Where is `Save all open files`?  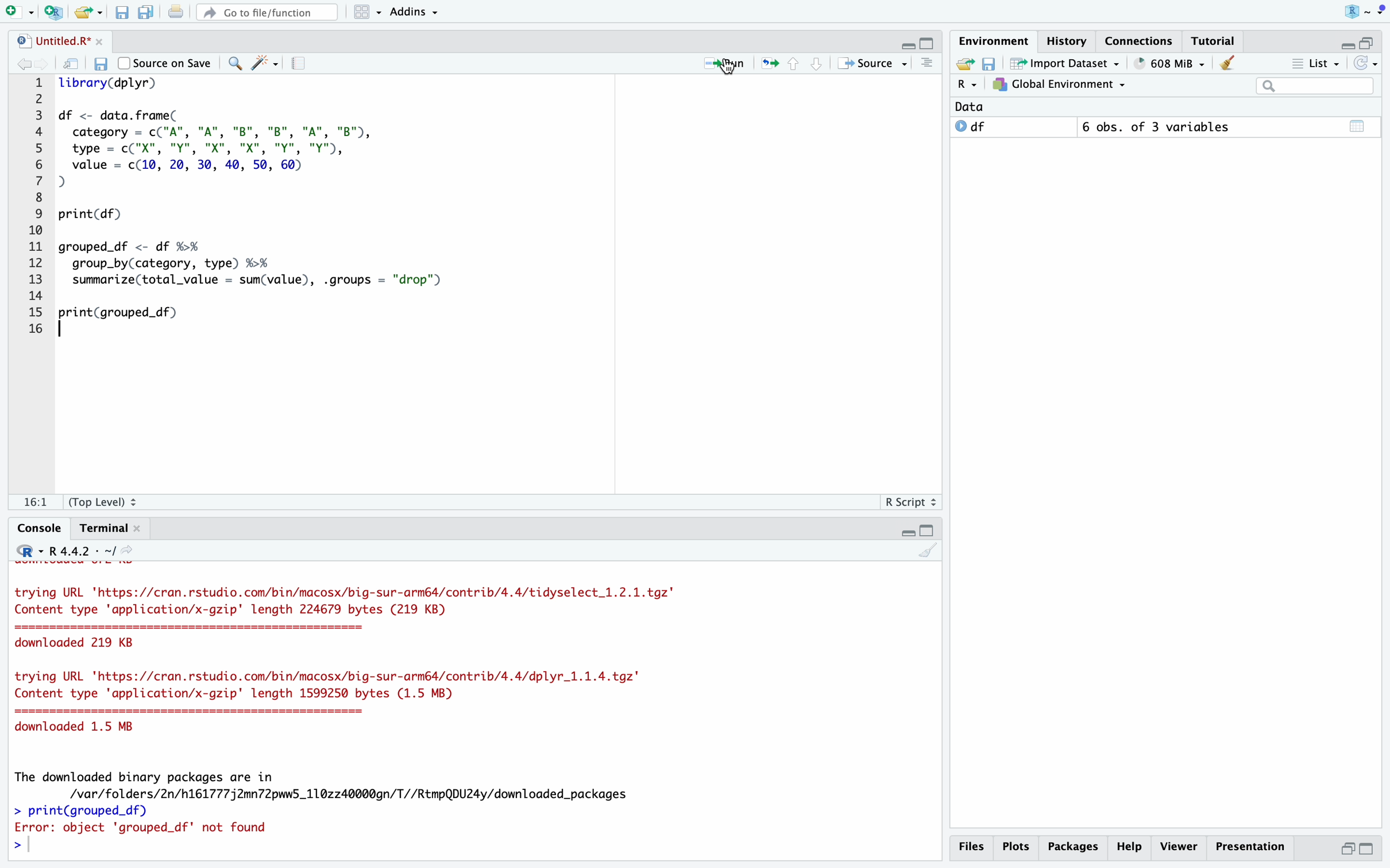 Save all open files is located at coordinates (146, 12).